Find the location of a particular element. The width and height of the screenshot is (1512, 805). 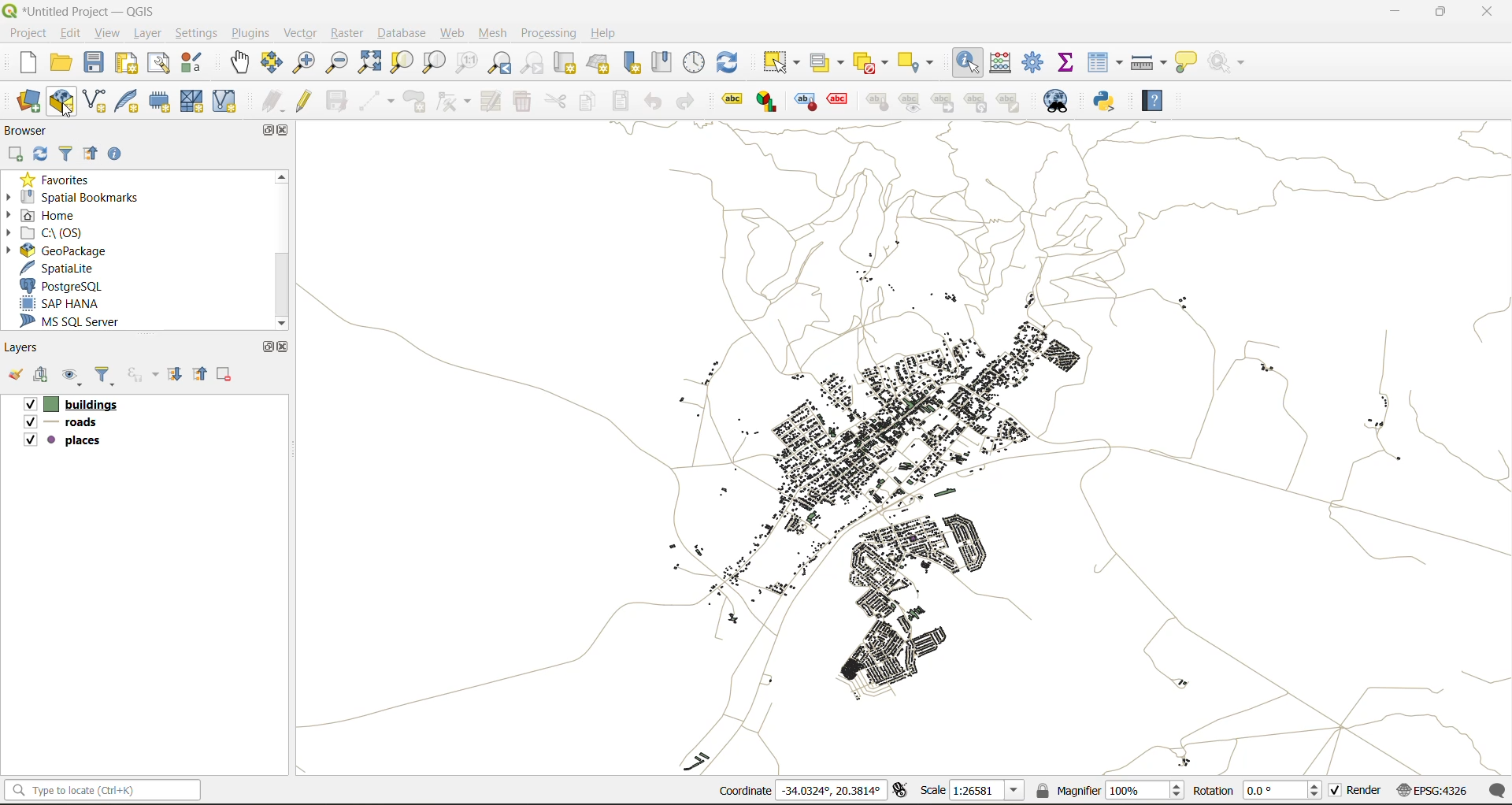

expand all is located at coordinates (177, 375).